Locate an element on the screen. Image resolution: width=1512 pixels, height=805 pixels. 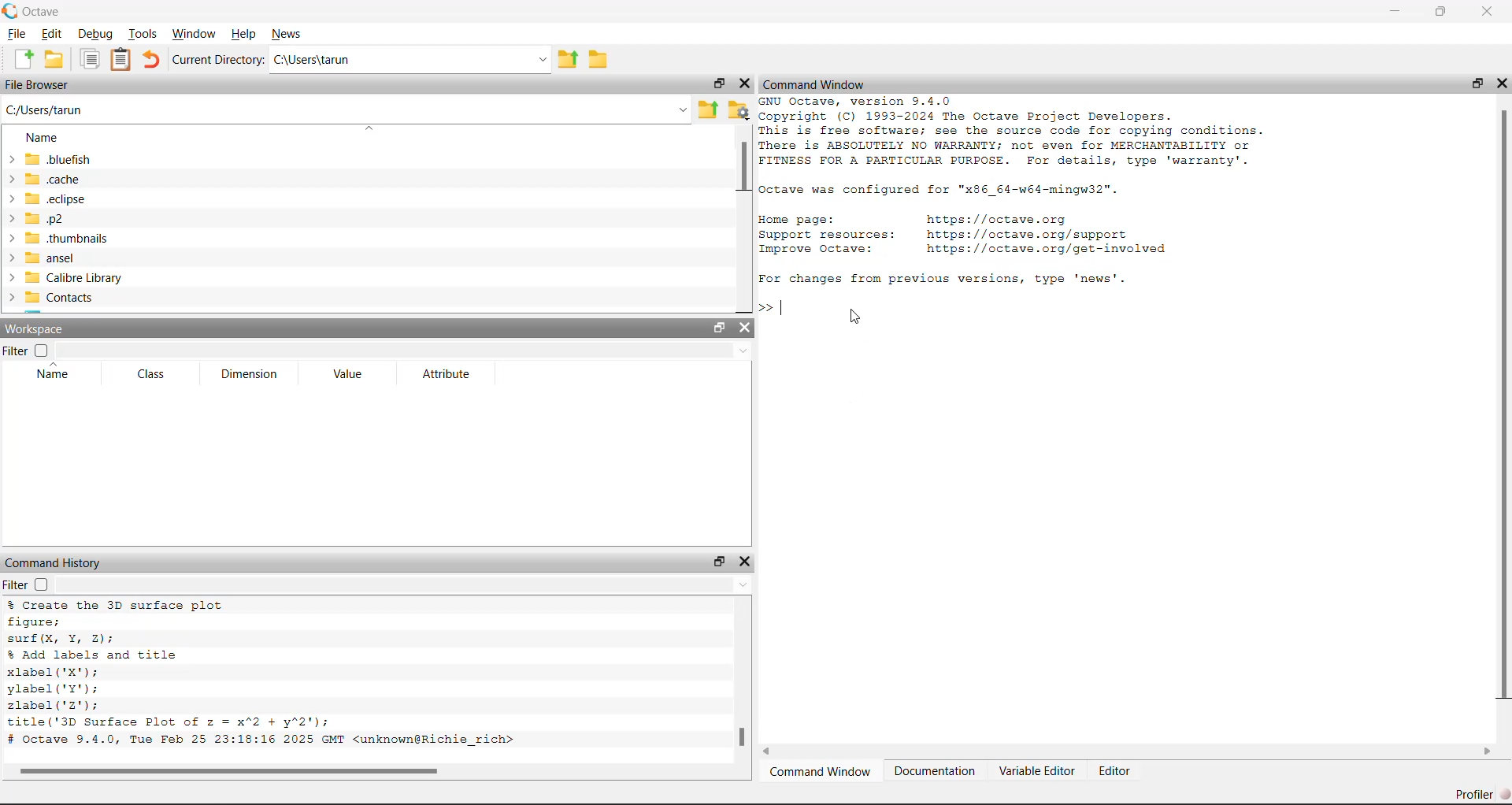
Workspace is located at coordinates (34, 328).